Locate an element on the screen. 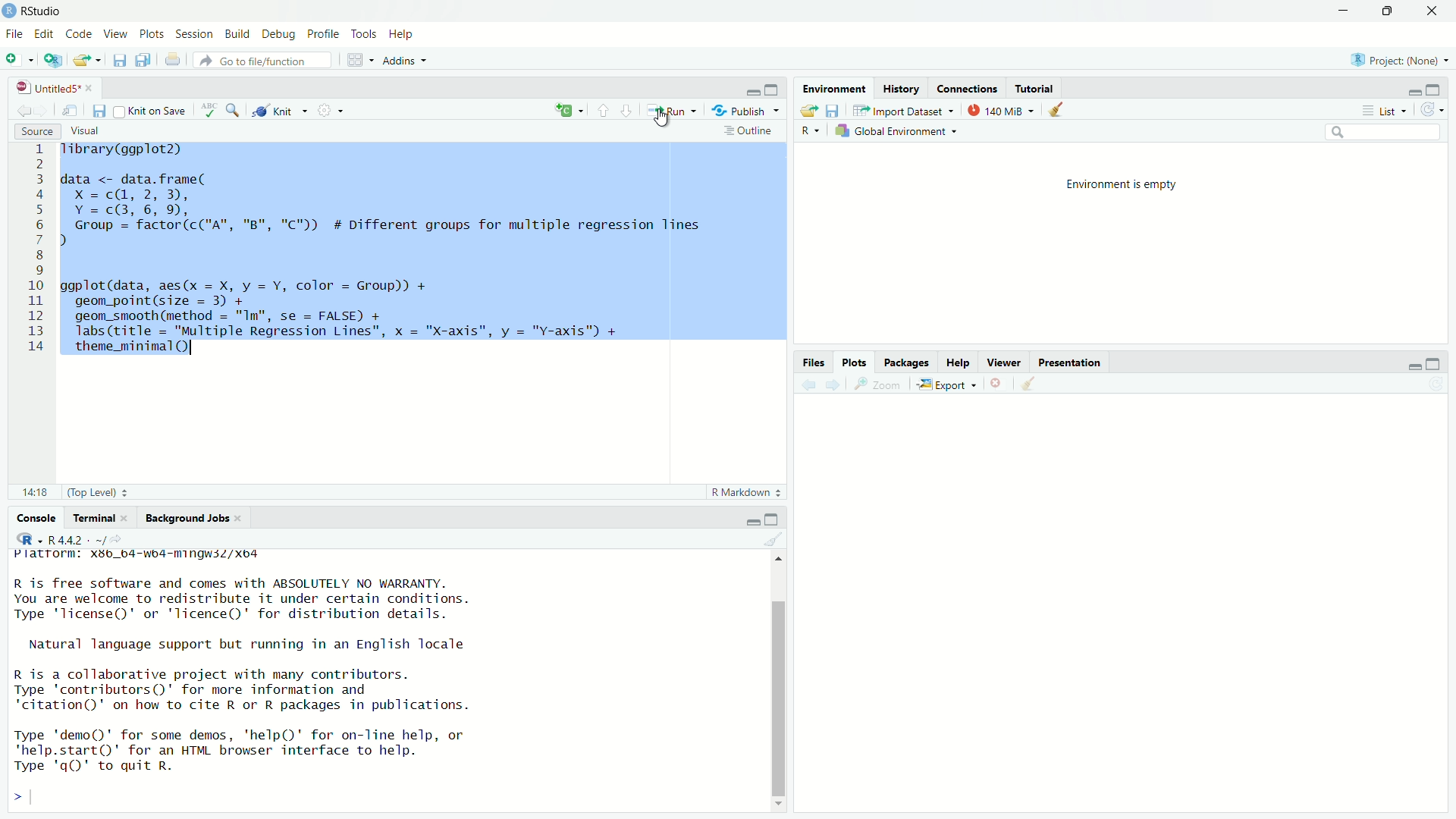 Image resolution: width=1456 pixels, height=819 pixels. grid is located at coordinates (357, 61).